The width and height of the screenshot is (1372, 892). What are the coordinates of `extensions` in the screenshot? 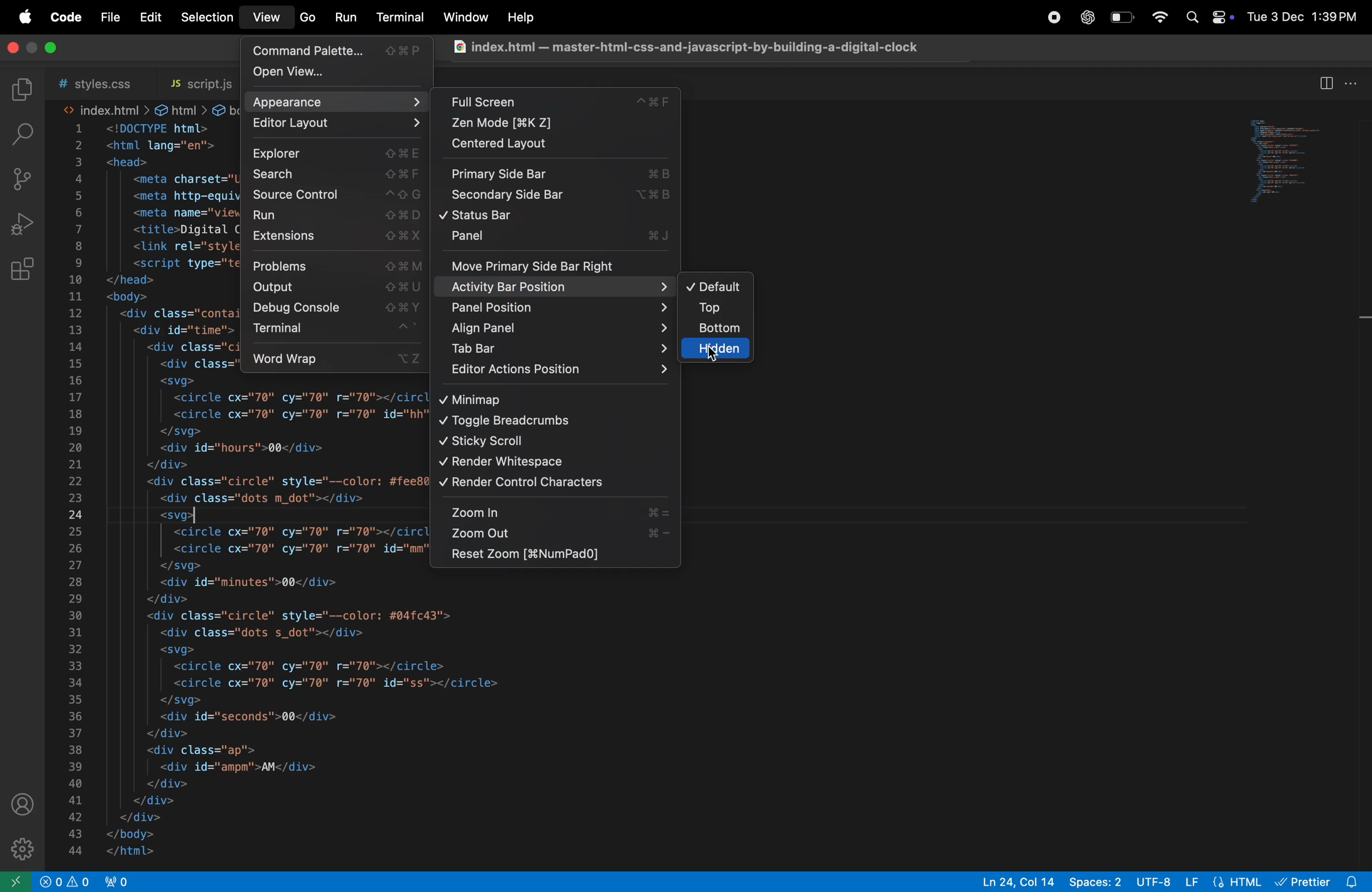 It's located at (335, 237).